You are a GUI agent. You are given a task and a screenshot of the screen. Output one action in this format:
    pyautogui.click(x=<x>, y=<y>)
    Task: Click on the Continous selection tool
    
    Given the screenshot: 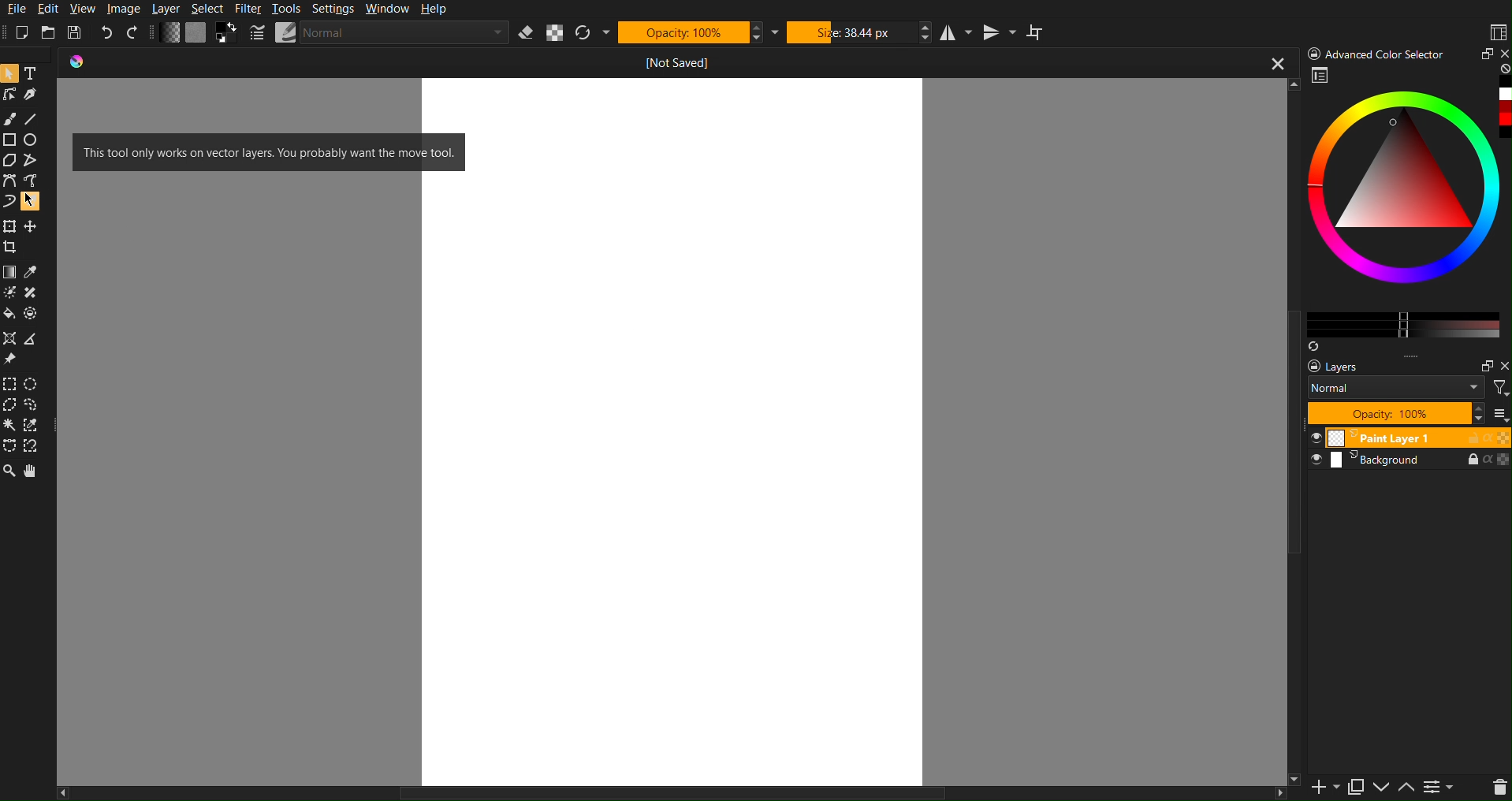 What is the action you would take?
    pyautogui.click(x=10, y=425)
    